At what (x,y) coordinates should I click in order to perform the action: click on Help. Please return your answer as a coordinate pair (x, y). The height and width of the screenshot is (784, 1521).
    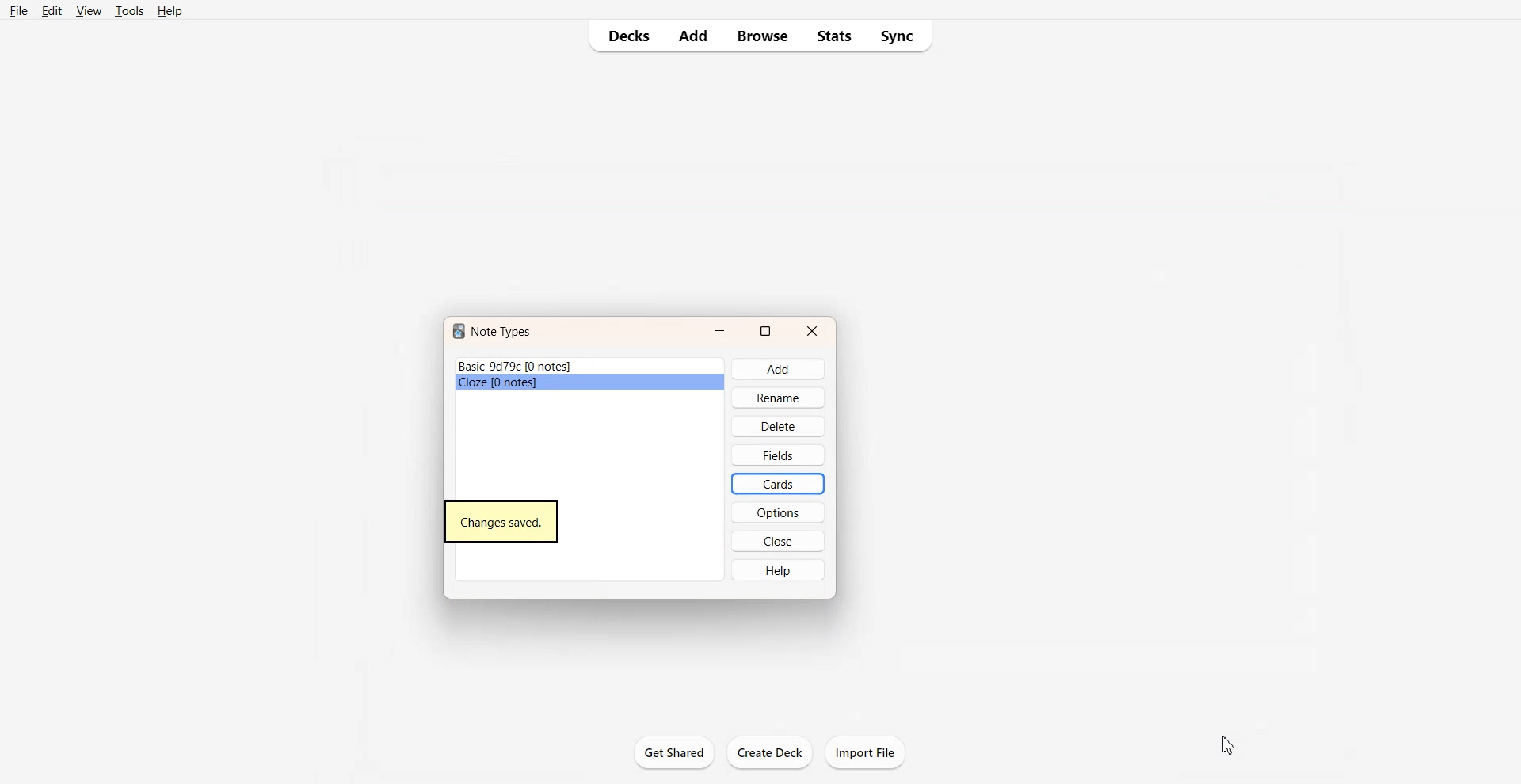
    Looking at the image, I should click on (169, 10).